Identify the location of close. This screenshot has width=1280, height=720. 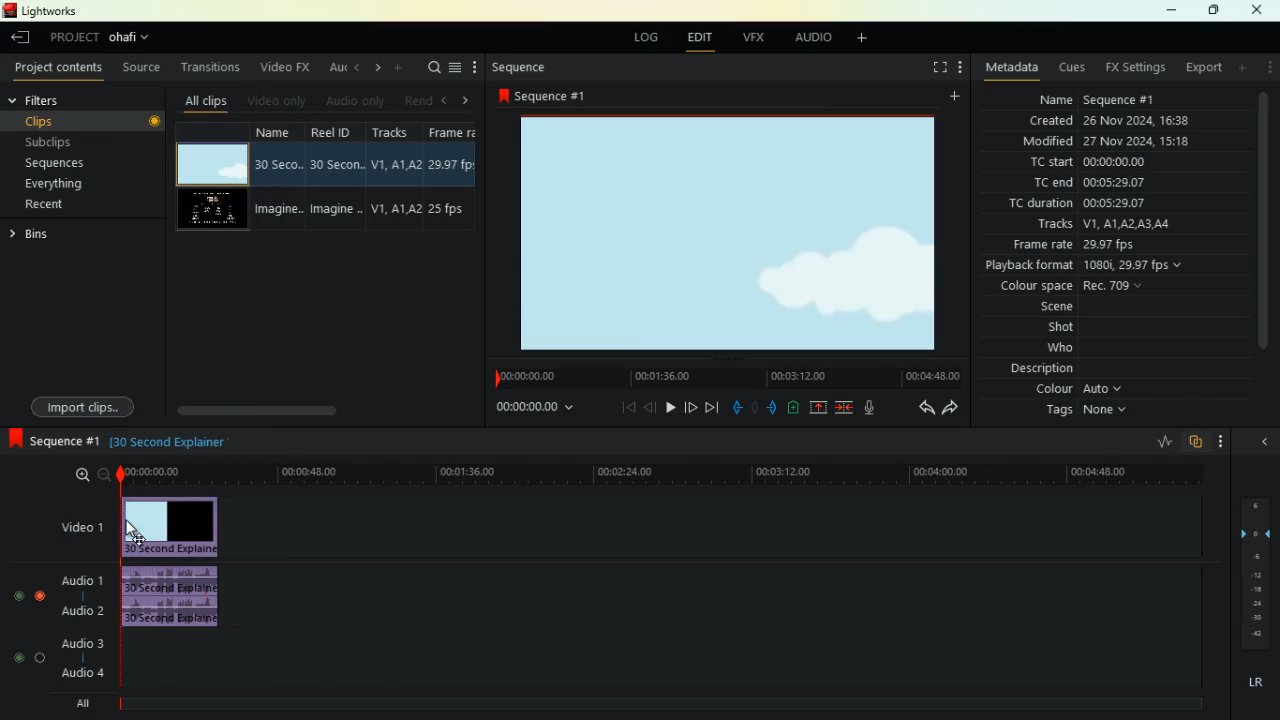
(1265, 440).